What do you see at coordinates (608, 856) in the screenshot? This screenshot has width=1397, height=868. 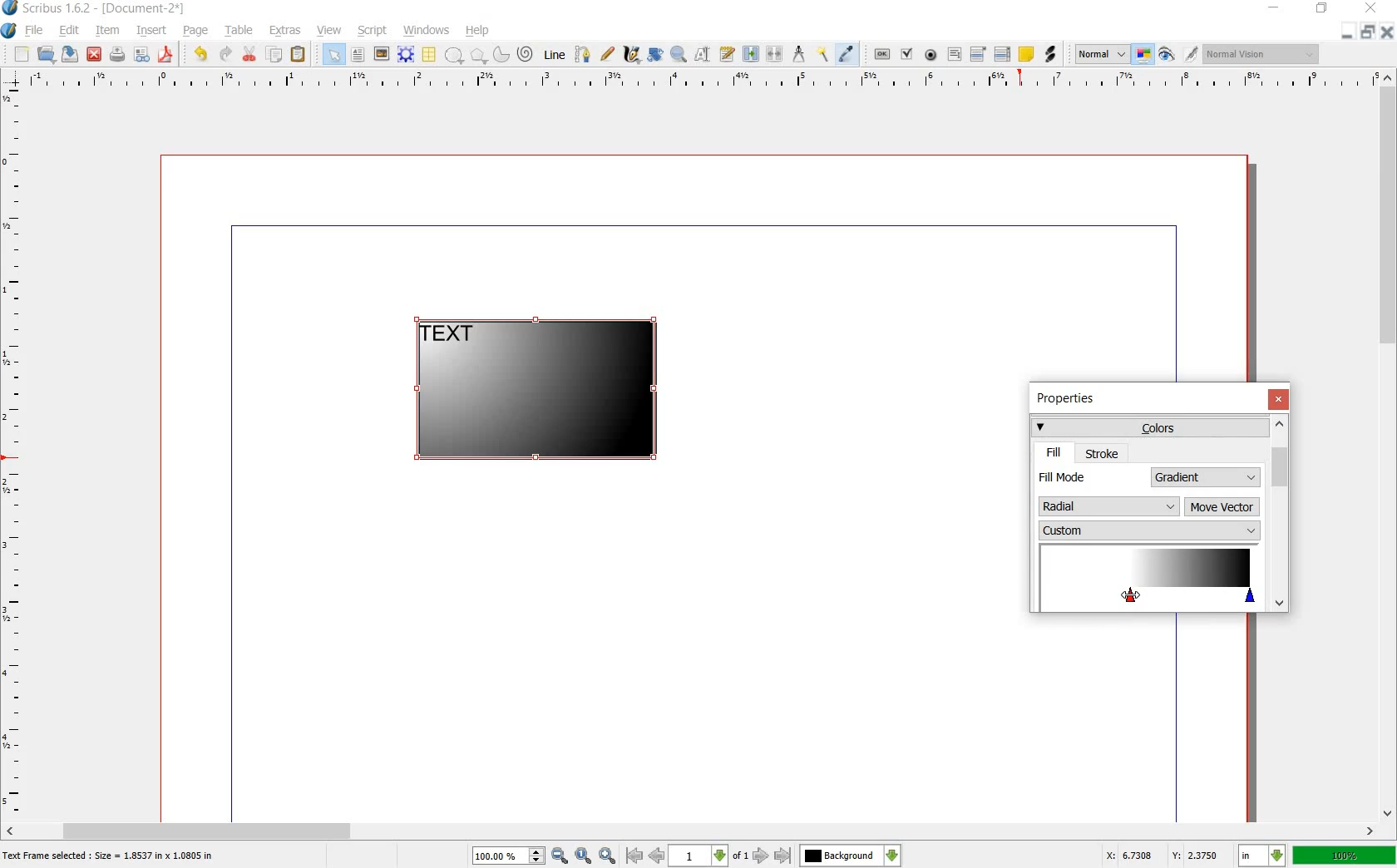 I see `zoom in` at bounding box center [608, 856].